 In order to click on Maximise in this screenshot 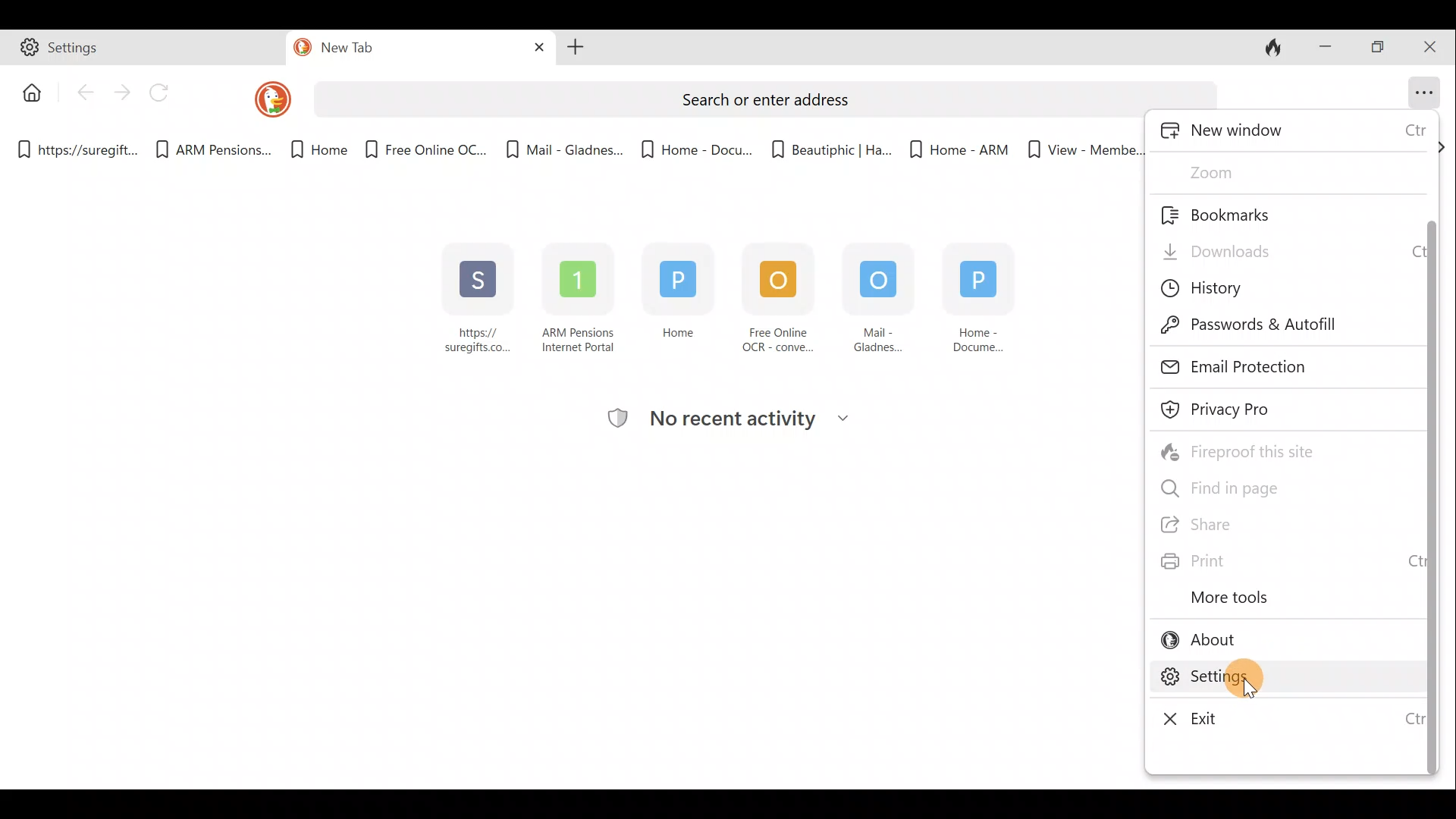, I will do `click(1376, 50)`.